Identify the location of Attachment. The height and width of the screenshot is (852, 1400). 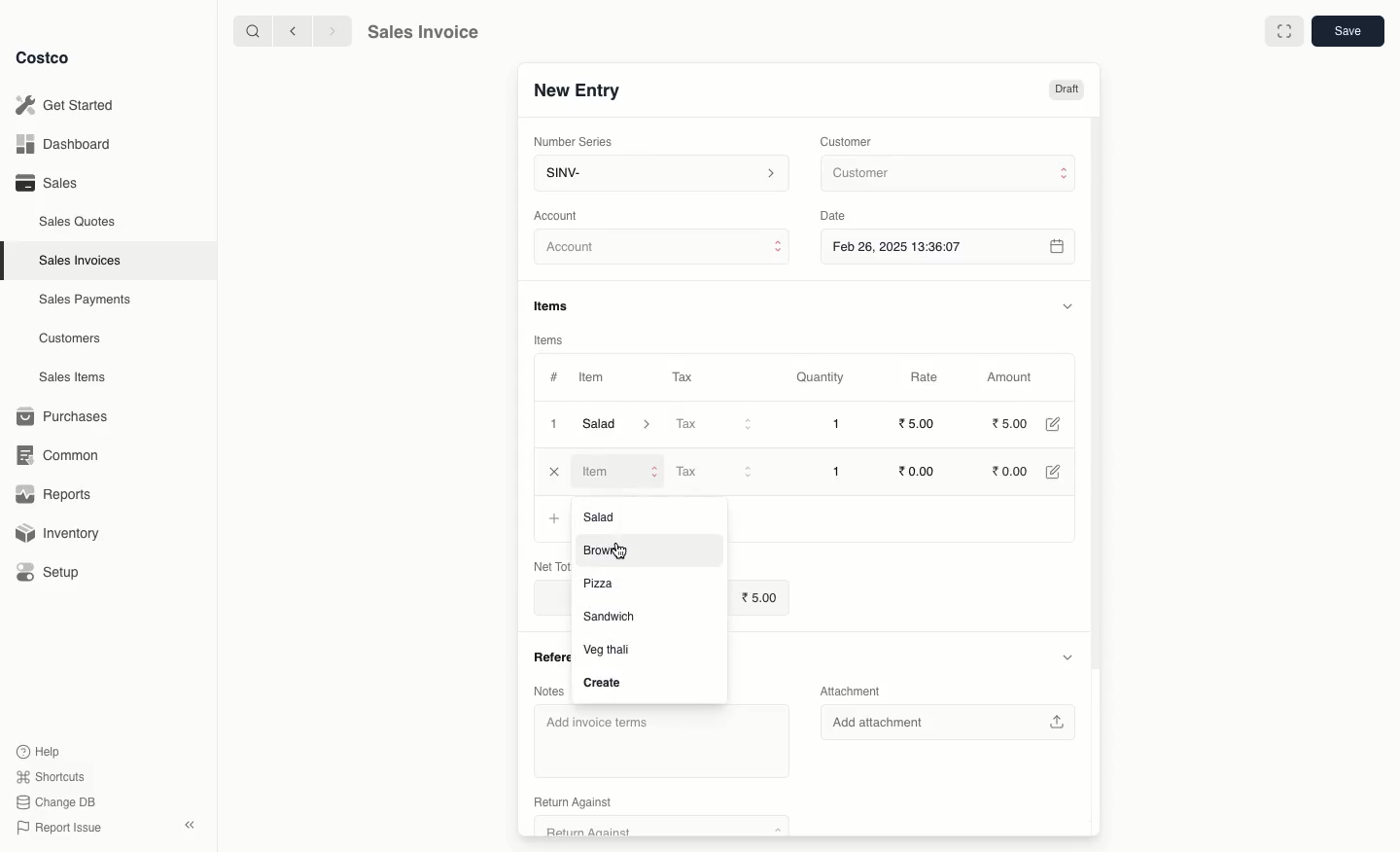
(852, 688).